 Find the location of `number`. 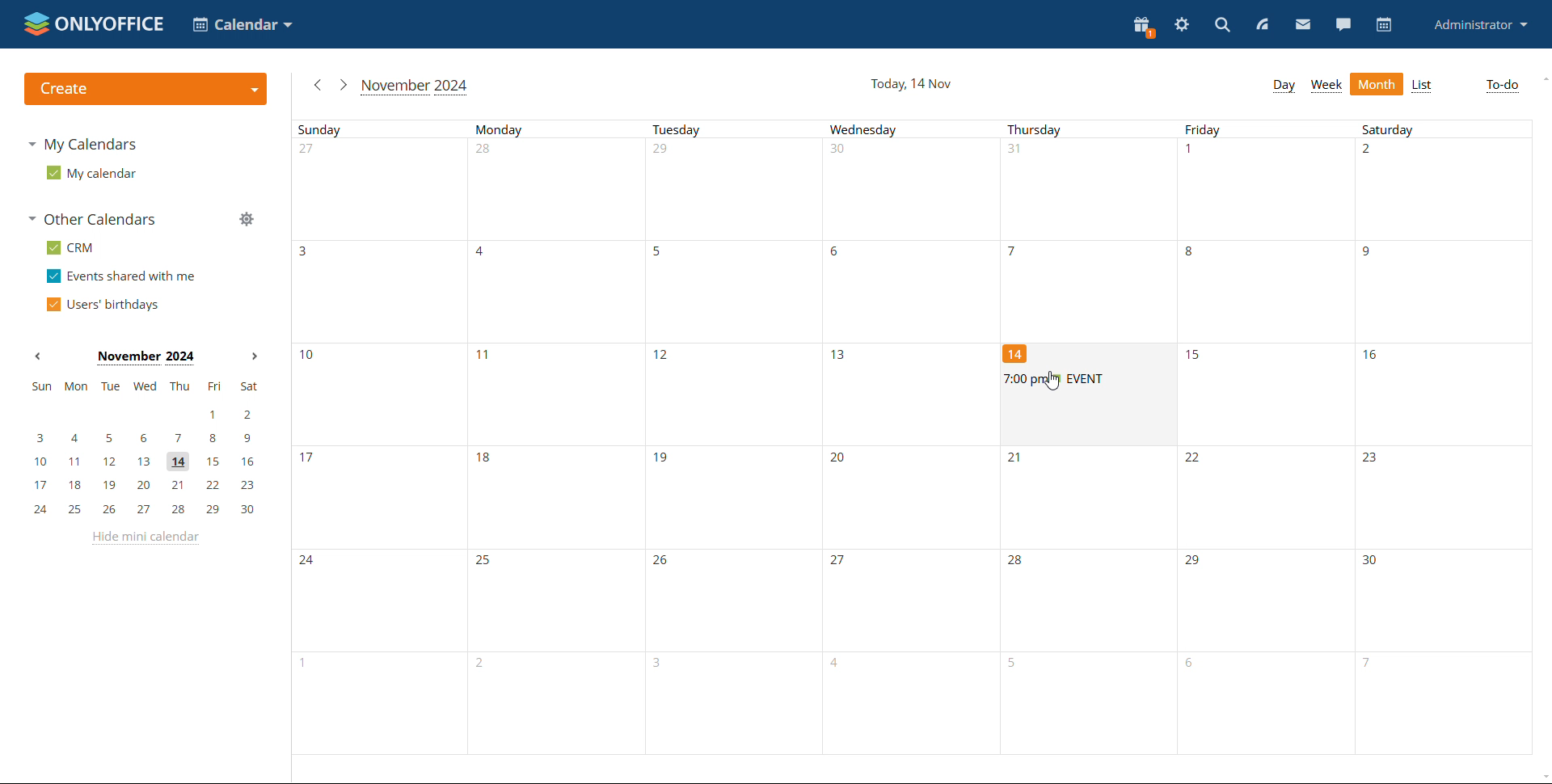

number is located at coordinates (843, 355).